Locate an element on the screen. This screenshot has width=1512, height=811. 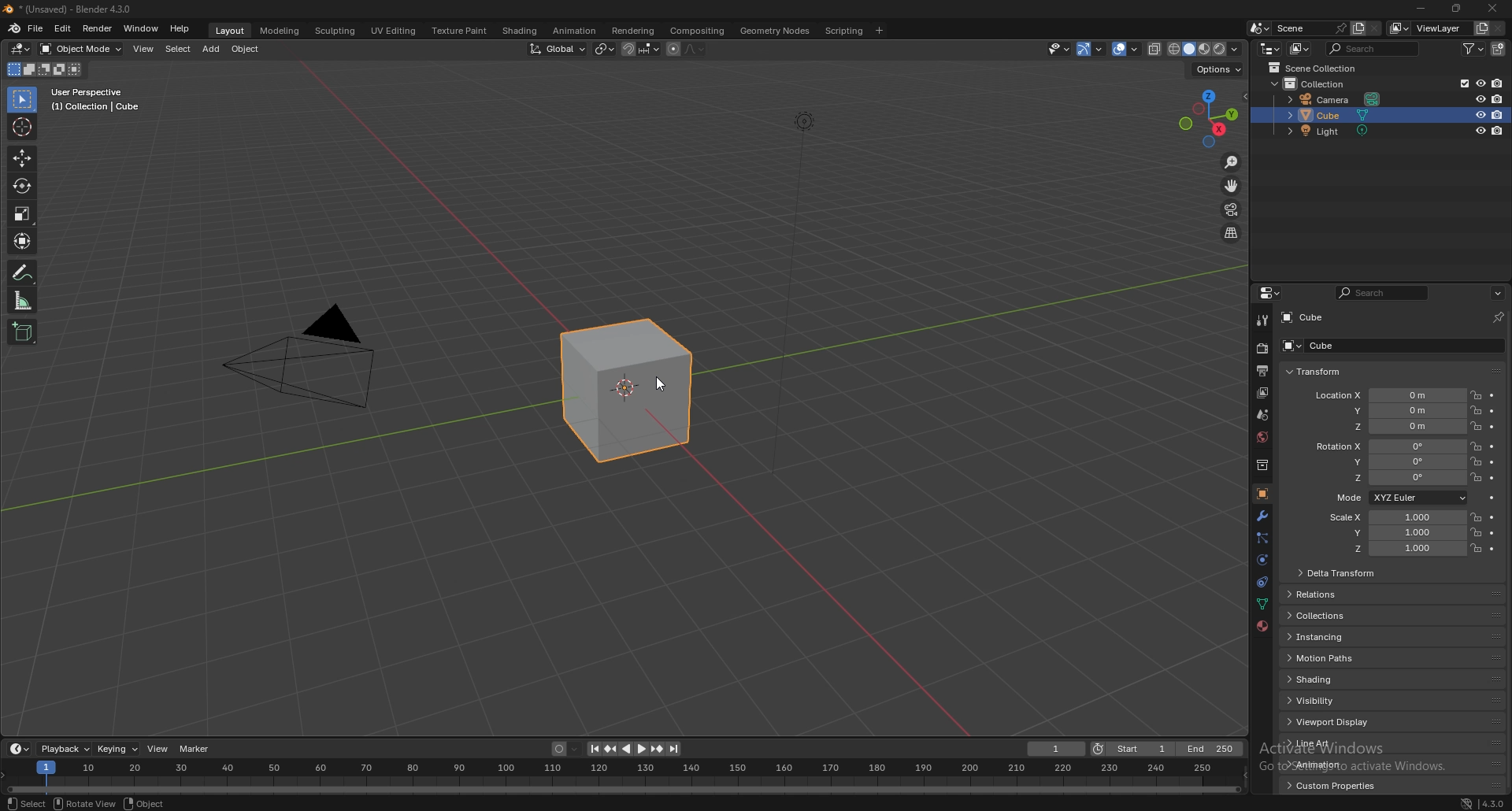
animation is located at coordinates (576, 31).